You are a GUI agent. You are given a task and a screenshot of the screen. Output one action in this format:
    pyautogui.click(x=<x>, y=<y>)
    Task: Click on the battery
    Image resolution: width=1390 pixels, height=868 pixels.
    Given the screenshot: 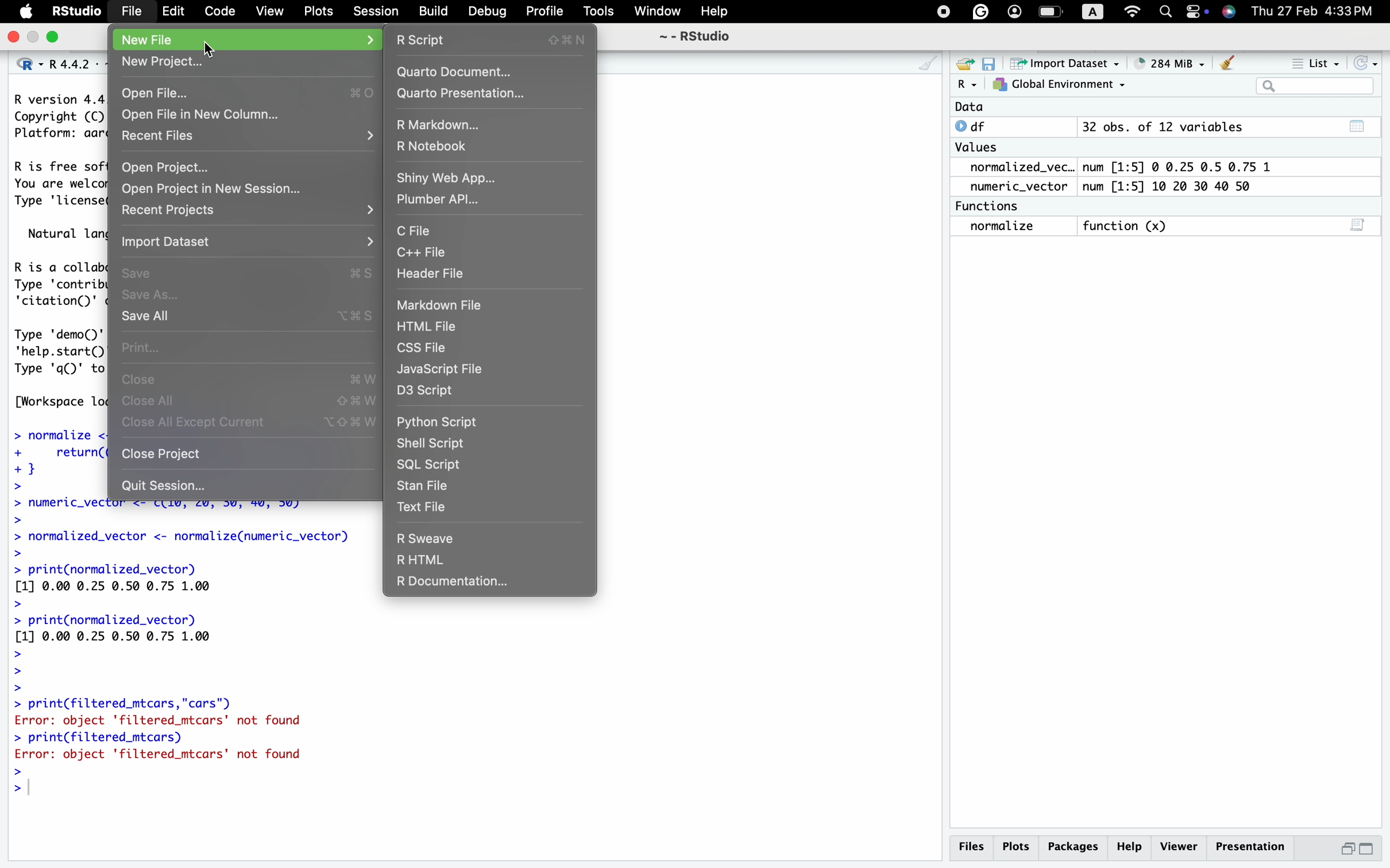 What is the action you would take?
    pyautogui.click(x=1050, y=11)
    